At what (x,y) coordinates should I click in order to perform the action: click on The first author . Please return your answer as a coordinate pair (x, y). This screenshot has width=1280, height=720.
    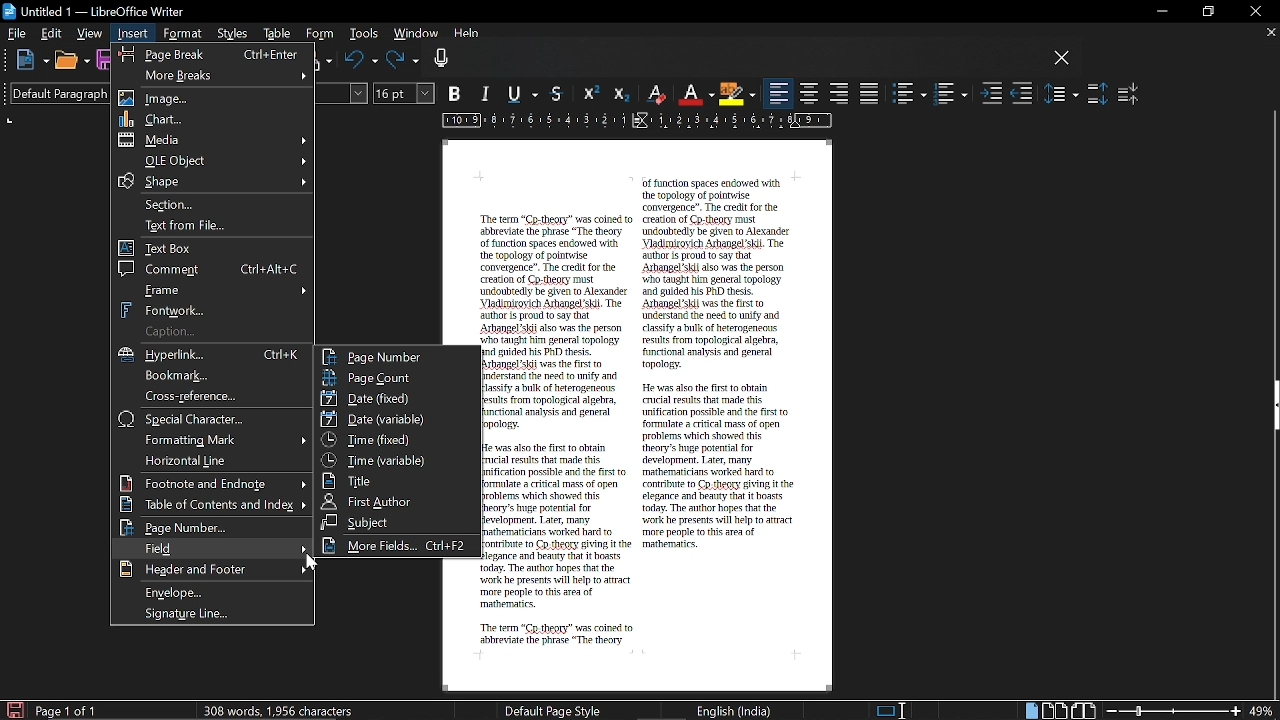
    Looking at the image, I should click on (397, 501).